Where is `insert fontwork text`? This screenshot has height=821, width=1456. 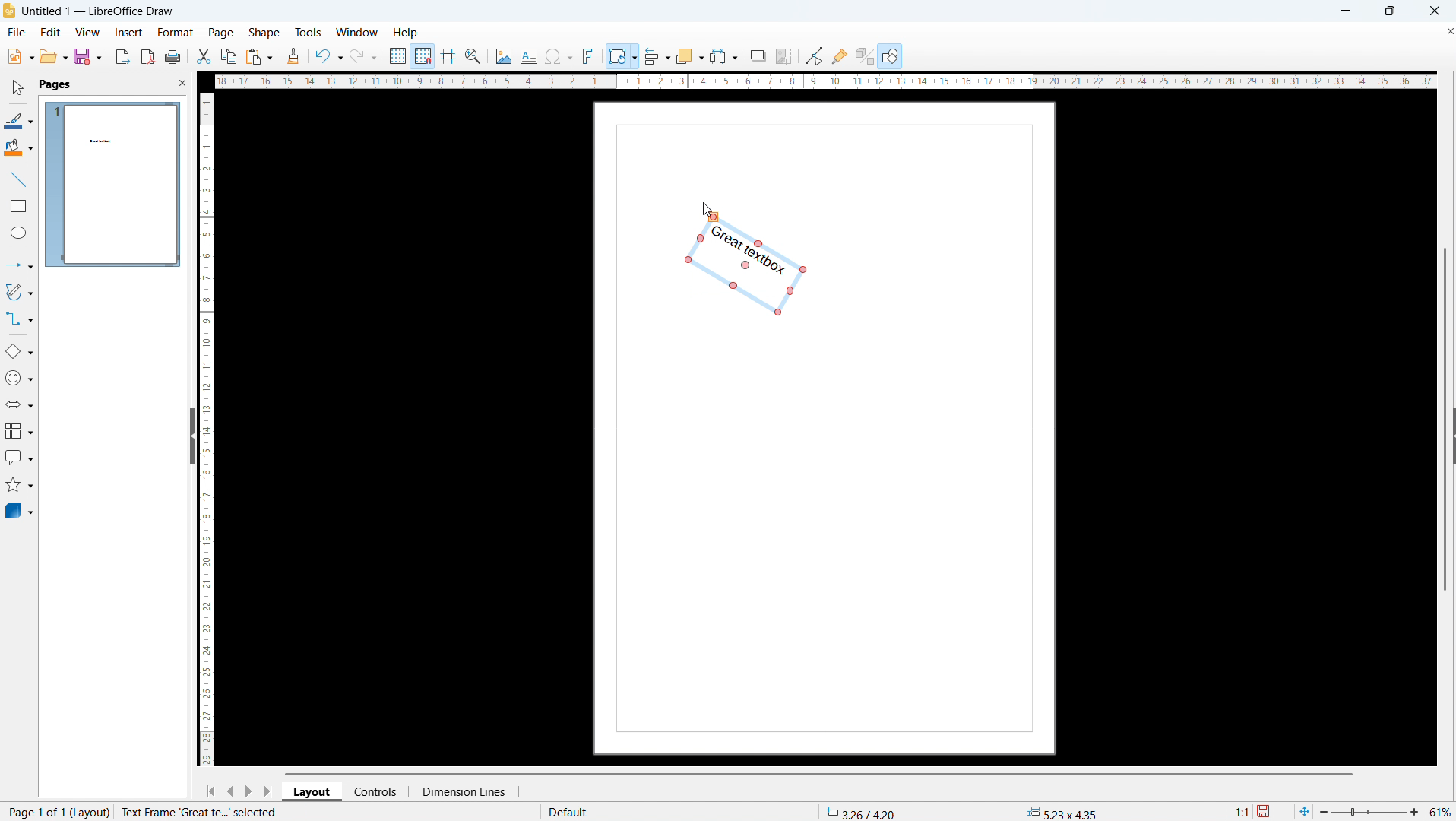 insert fontwork text is located at coordinates (589, 55).